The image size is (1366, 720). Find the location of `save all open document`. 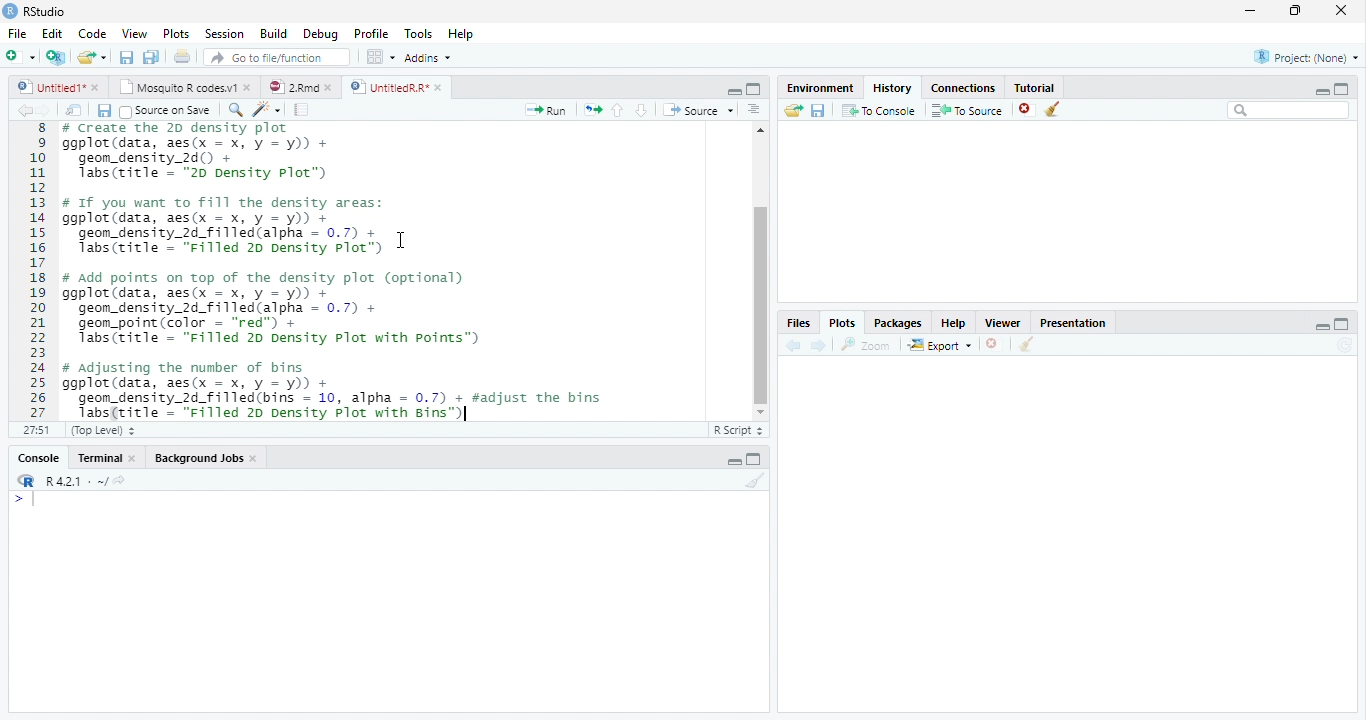

save all open document is located at coordinates (151, 56).